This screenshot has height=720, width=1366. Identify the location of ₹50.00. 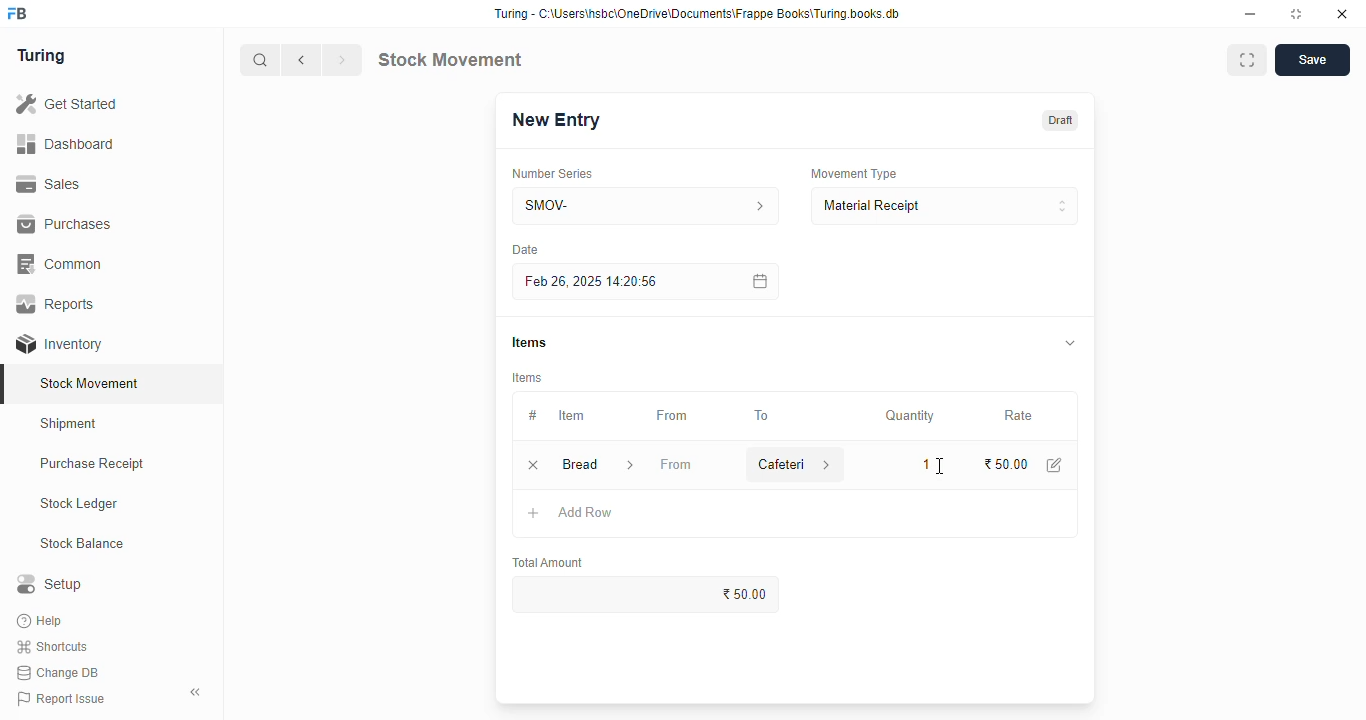
(1007, 464).